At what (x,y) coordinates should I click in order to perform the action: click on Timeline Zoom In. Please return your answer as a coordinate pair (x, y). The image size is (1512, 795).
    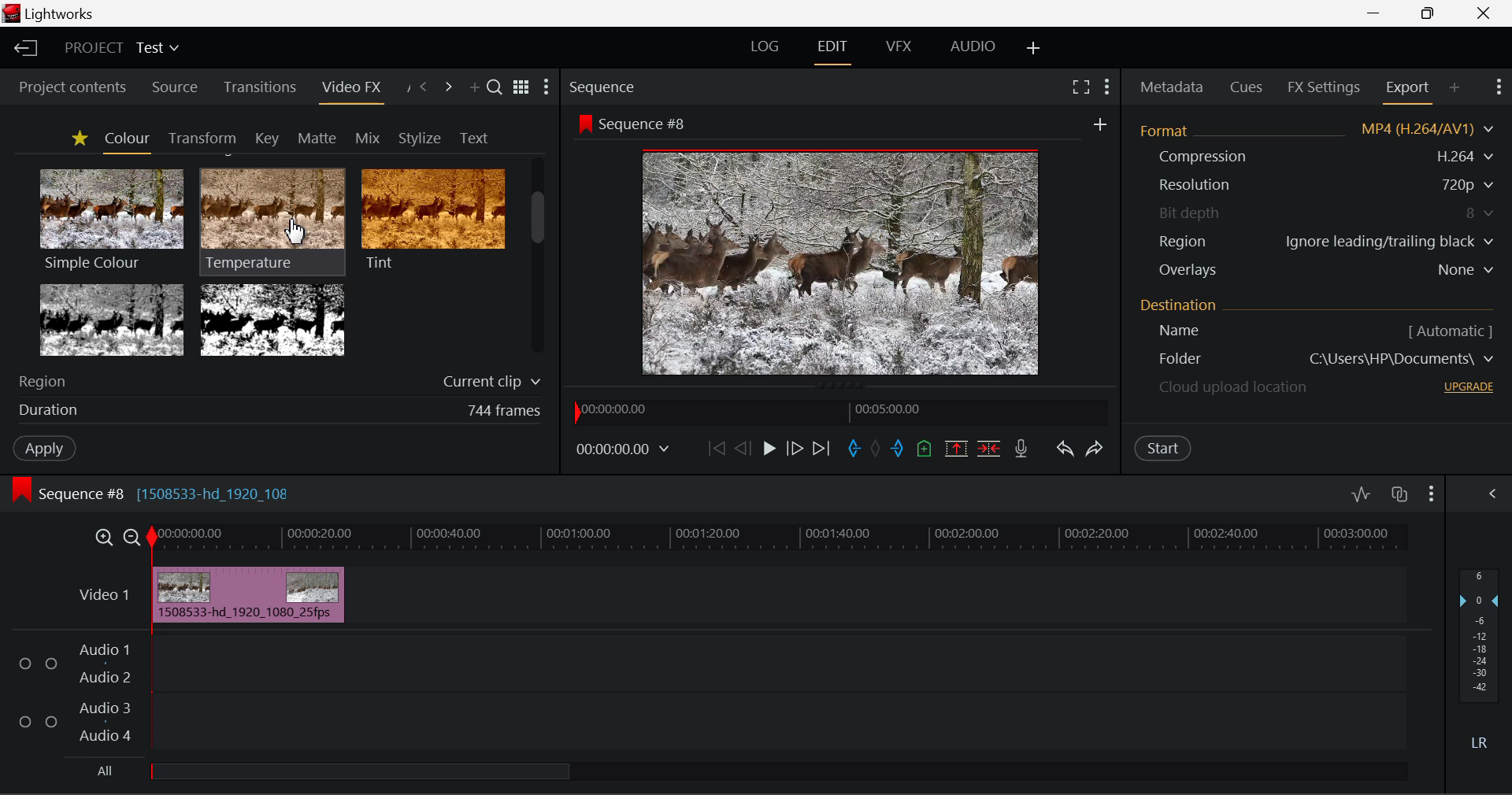
    Looking at the image, I should click on (106, 536).